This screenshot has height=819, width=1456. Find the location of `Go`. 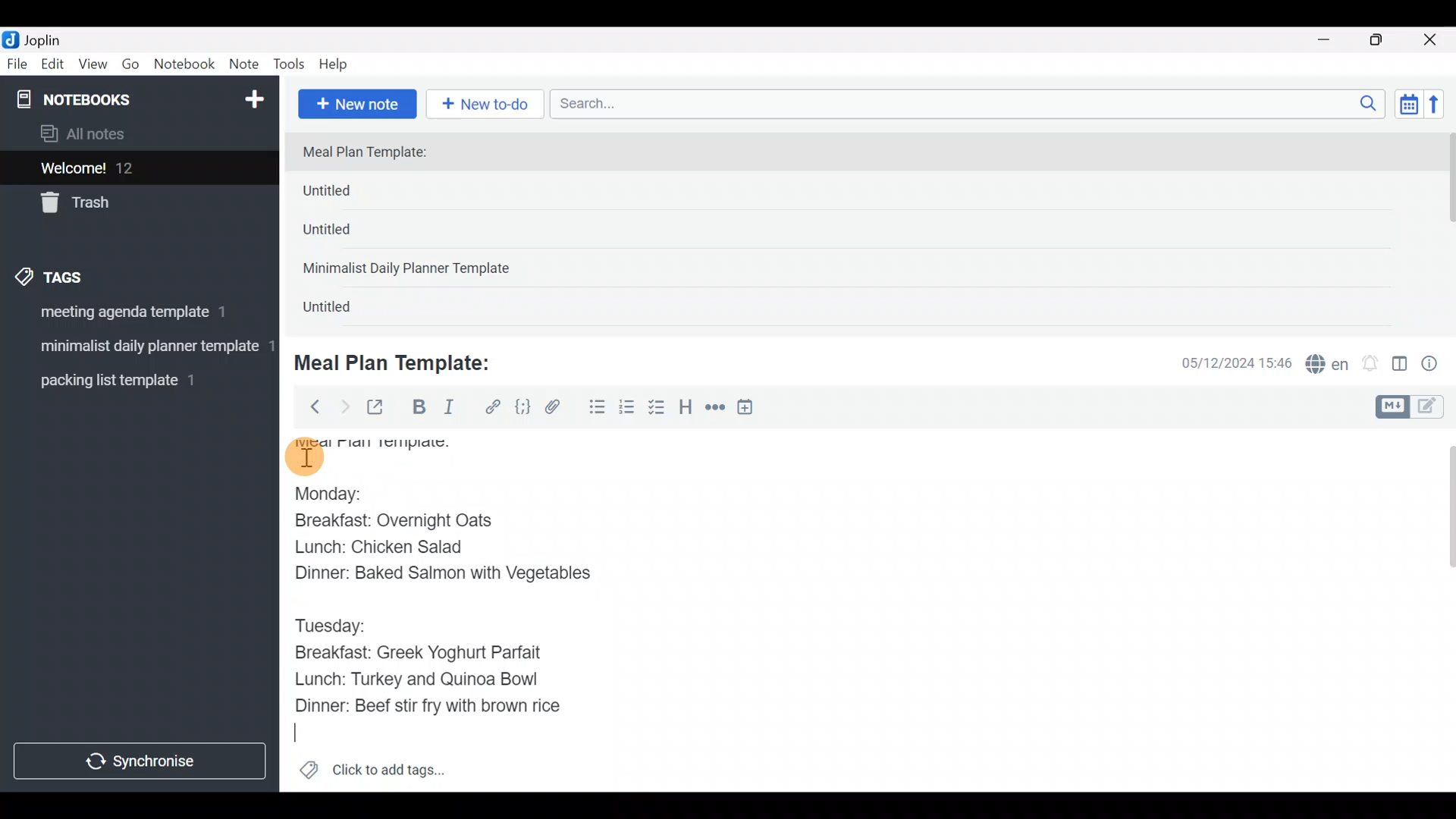

Go is located at coordinates (130, 67).